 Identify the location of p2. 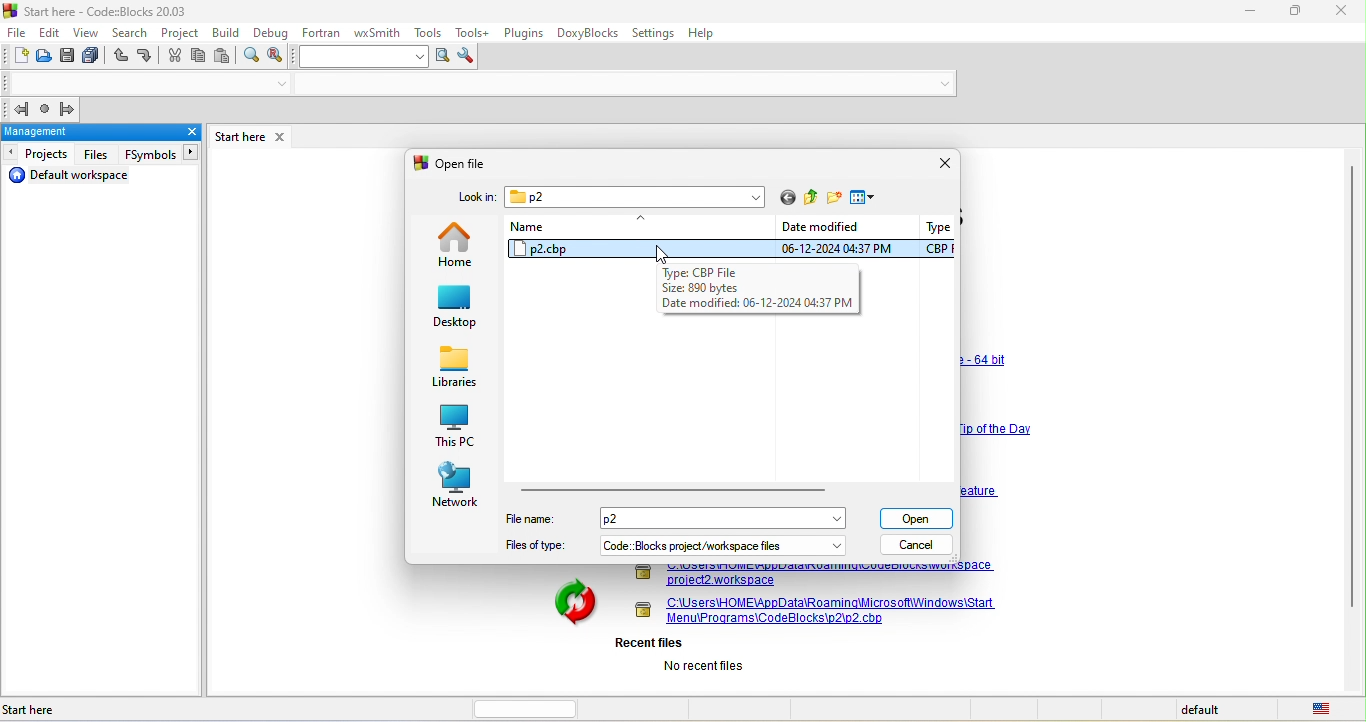
(636, 198).